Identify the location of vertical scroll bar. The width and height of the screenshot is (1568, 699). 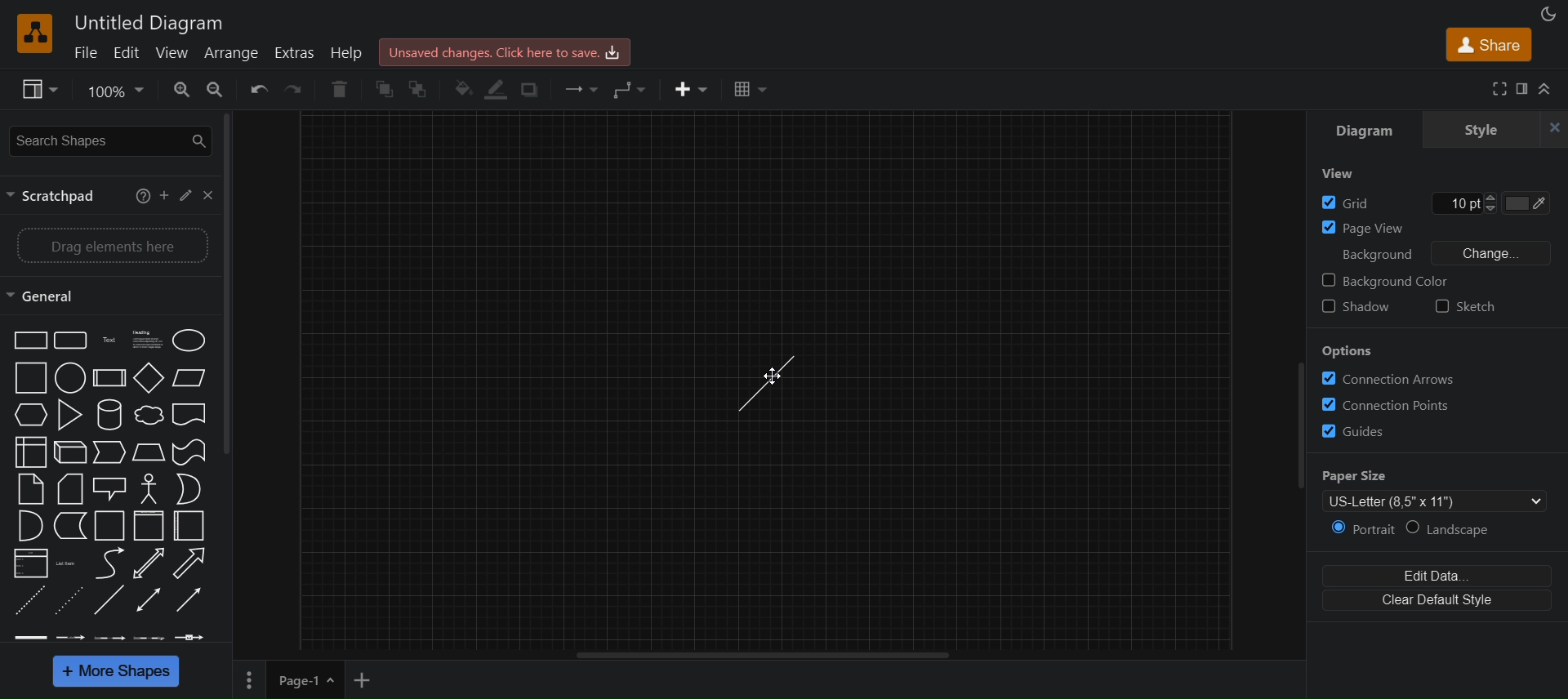
(231, 285).